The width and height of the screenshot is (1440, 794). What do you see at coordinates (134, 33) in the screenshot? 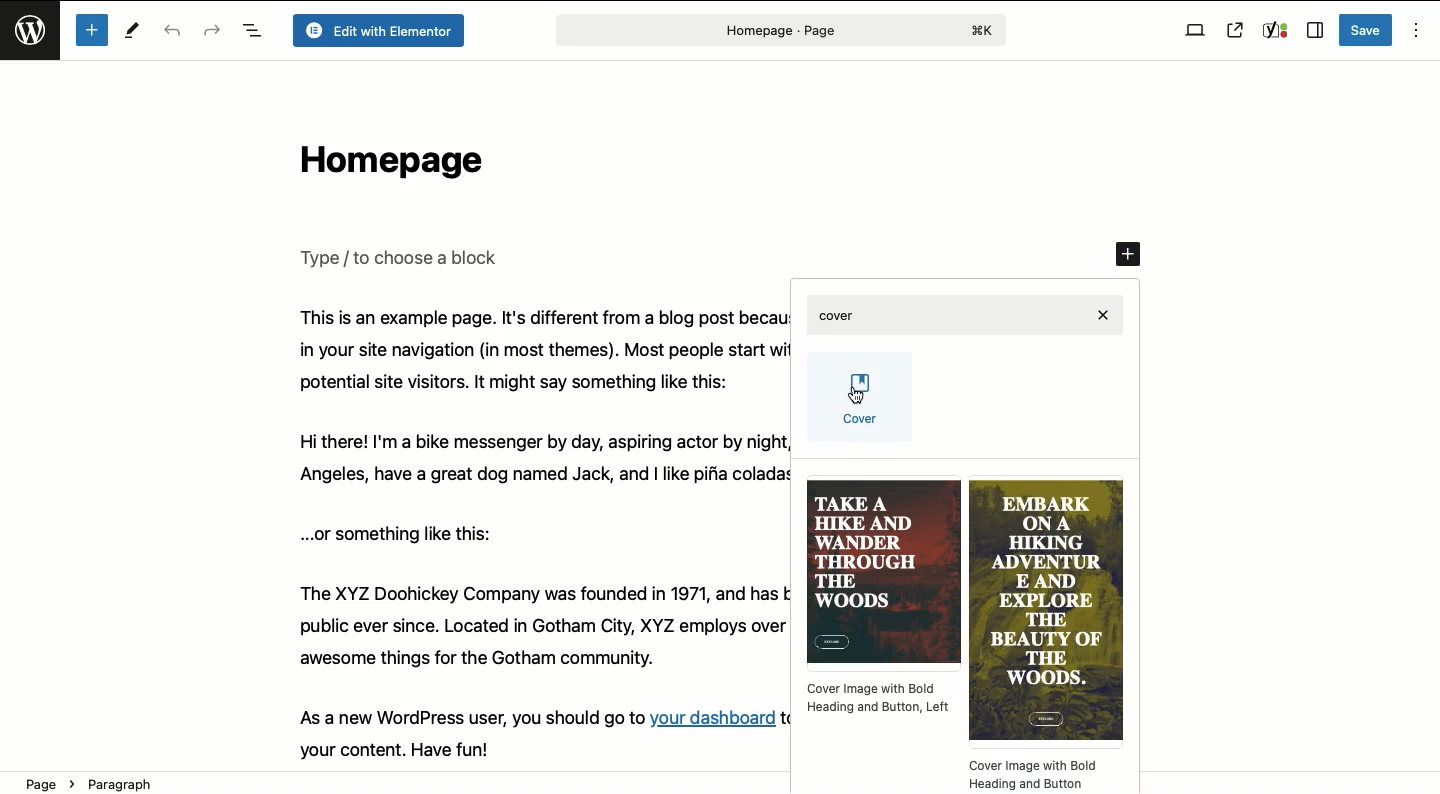
I see `Tools` at bounding box center [134, 33].